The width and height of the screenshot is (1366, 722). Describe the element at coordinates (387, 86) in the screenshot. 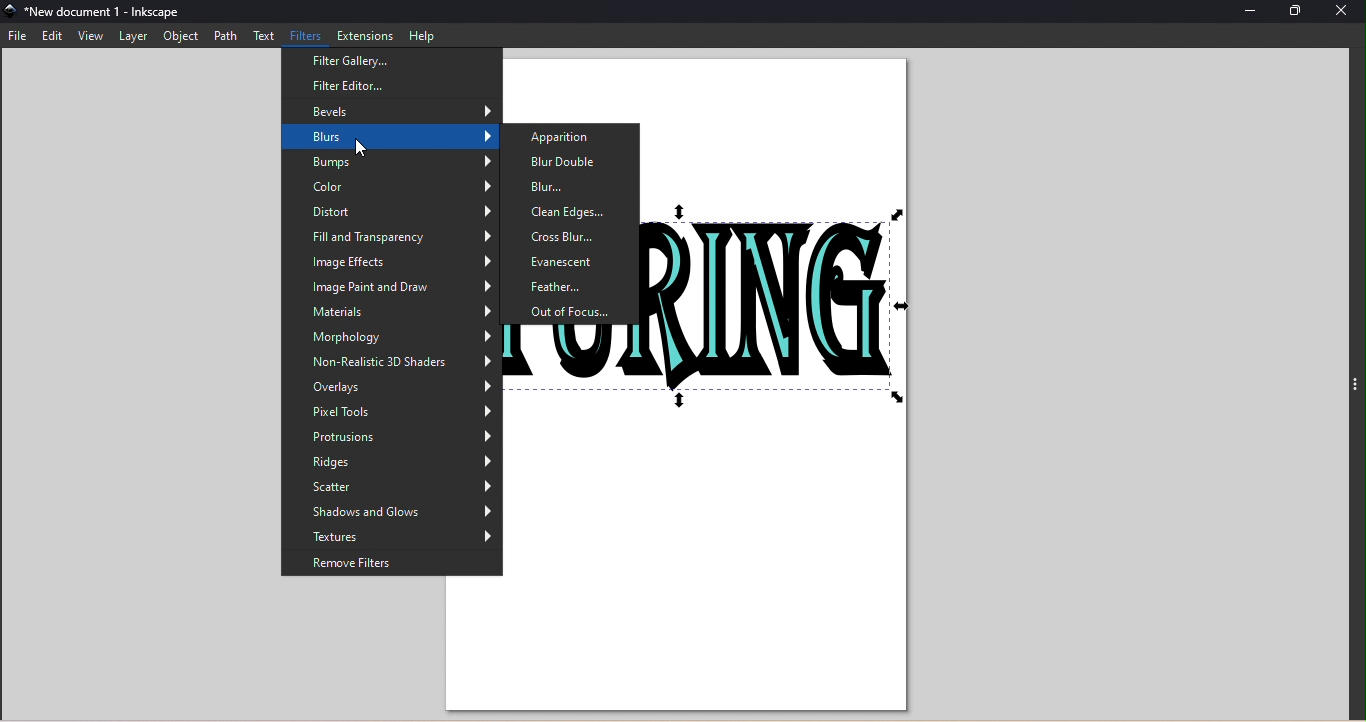

I see `Filter editor` at that location.